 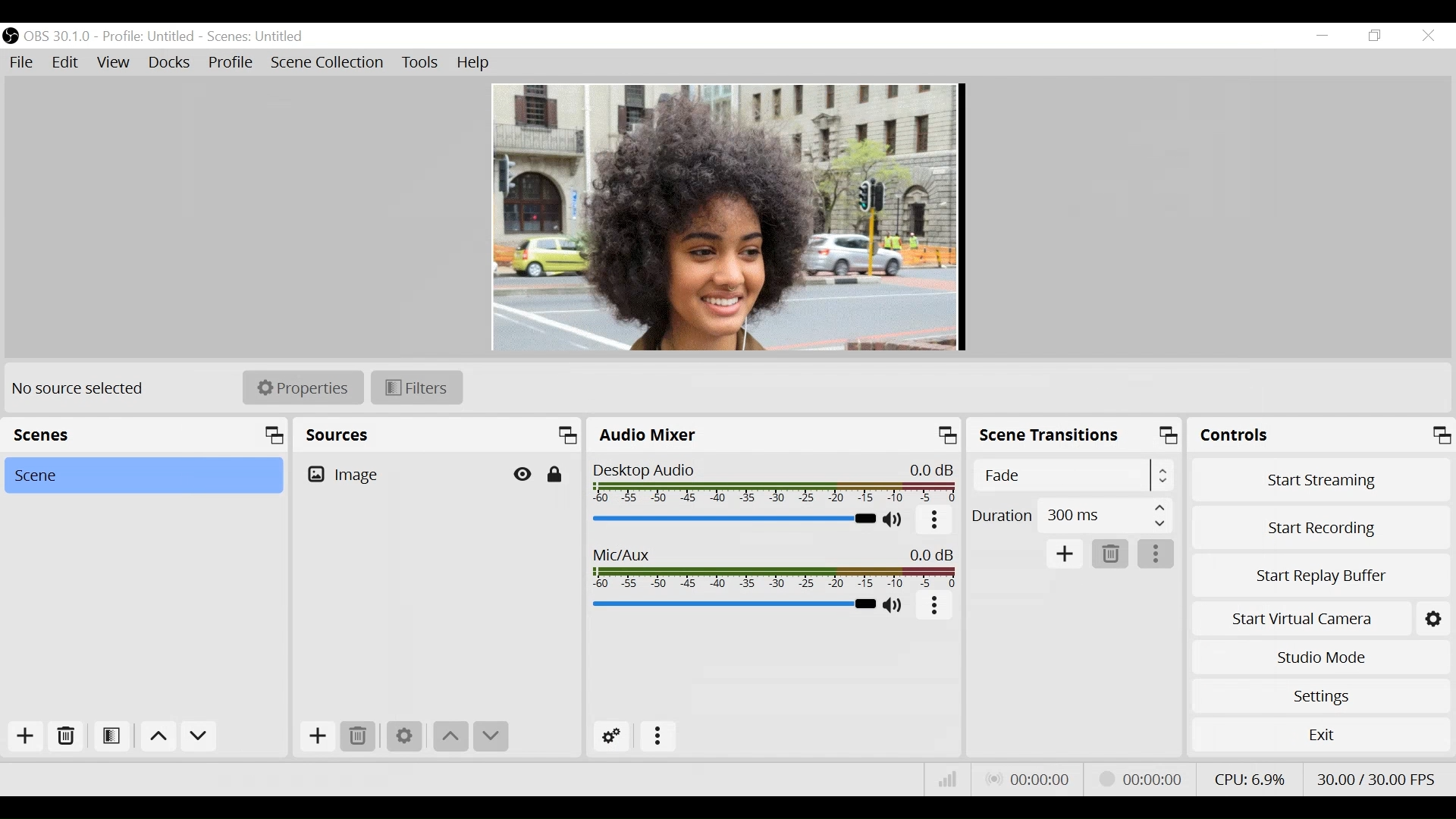 I want to click on Help, so click(x=475, y=64).